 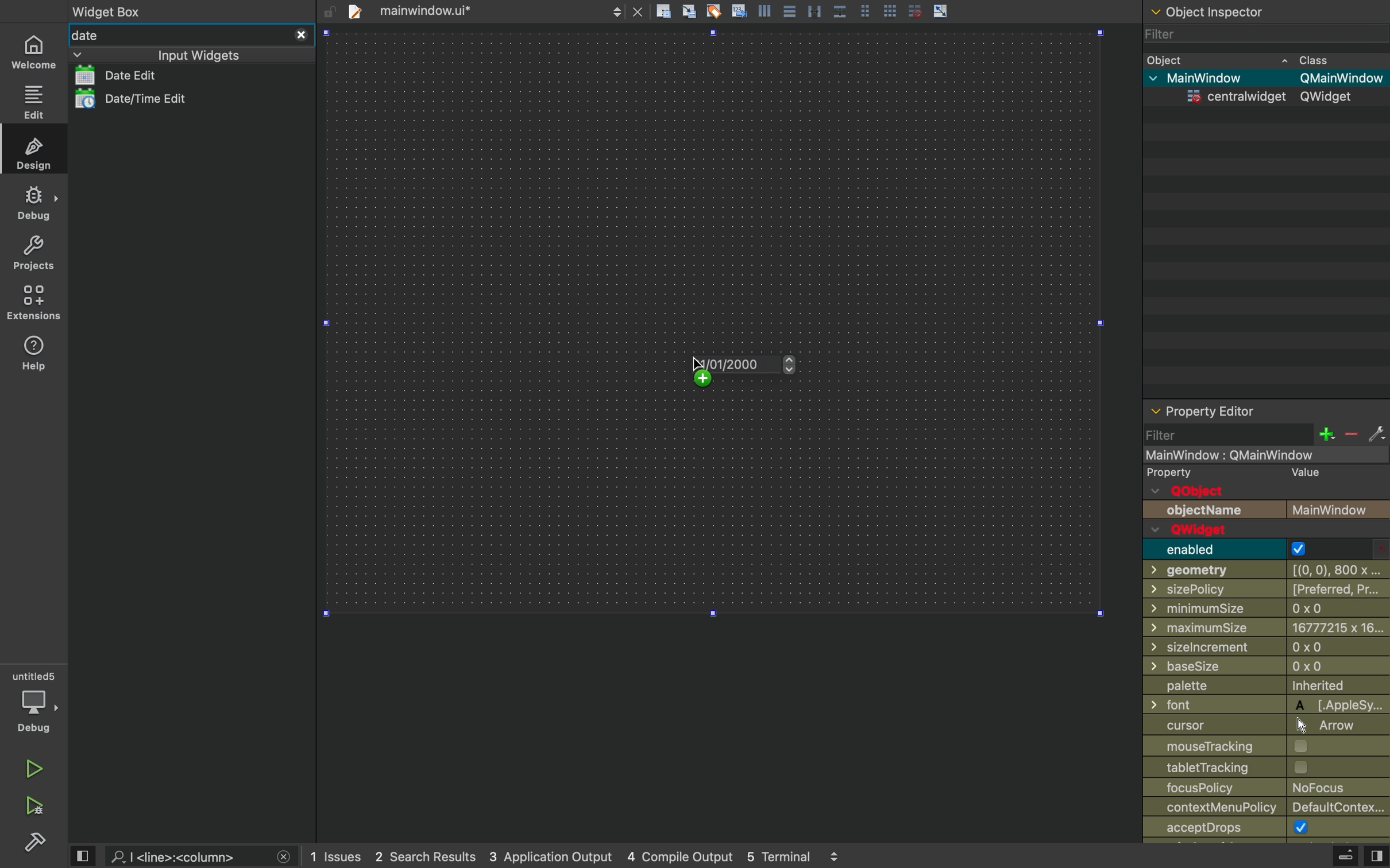 I want to click on next/back, so click(x=616, y=10).